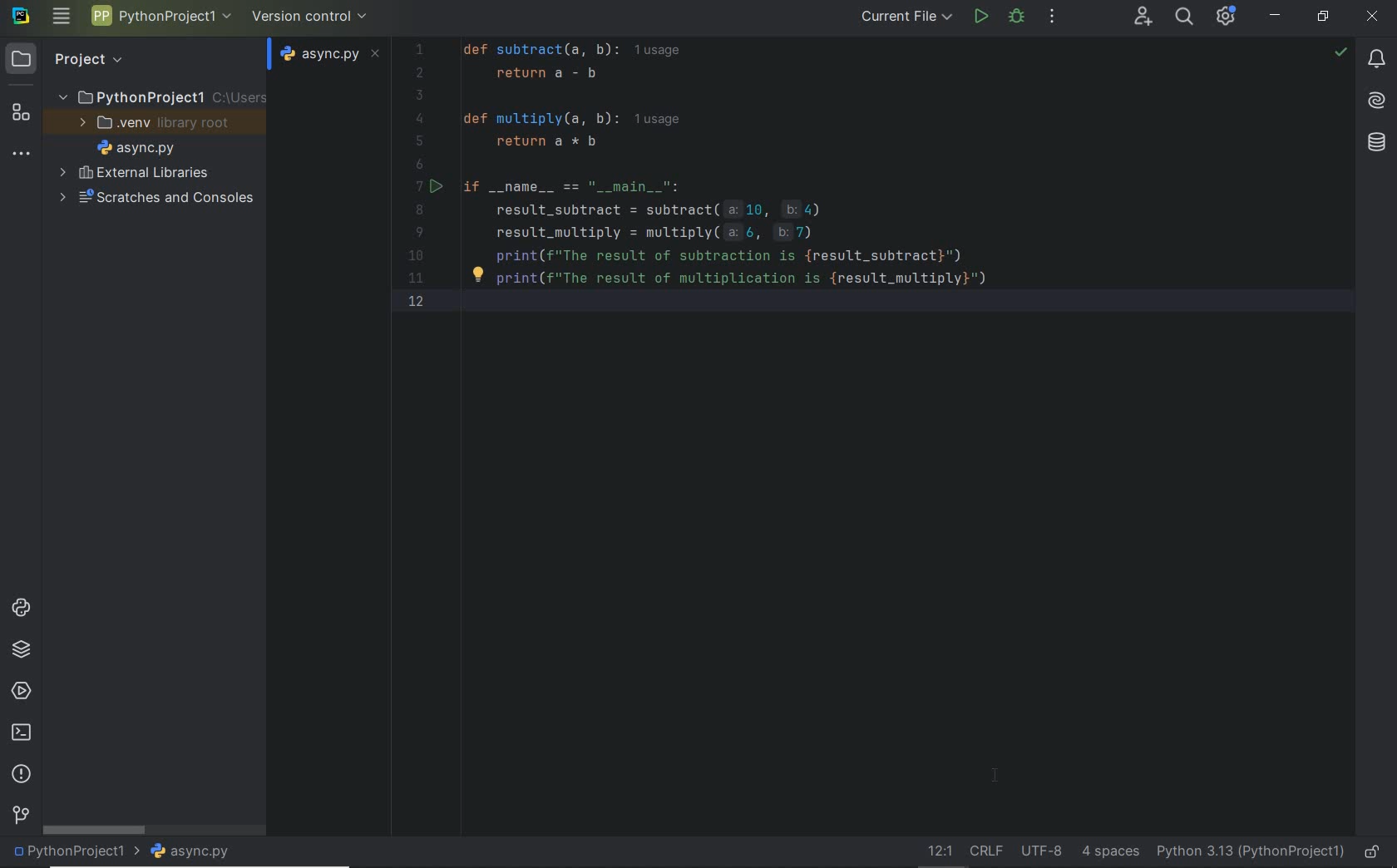  What do you see at coordinates (136, 173) in the screenshot?
I see `external libraries` at bounding box center [136, 173].